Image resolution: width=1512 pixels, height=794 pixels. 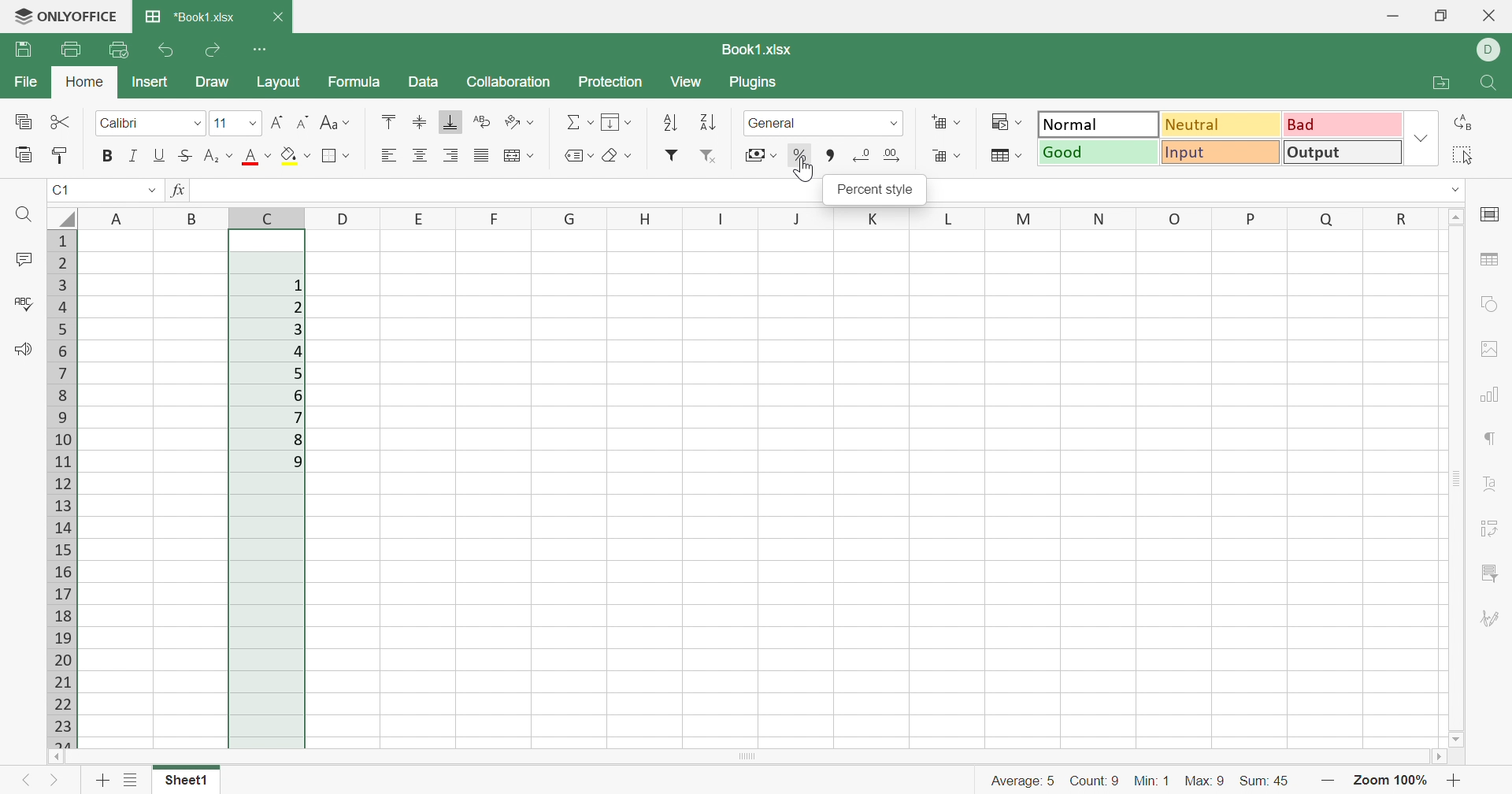 What do you see at coordinates (1461, 157) in the screenshot?
I see `Select all` at bounding box center [1461, 157].